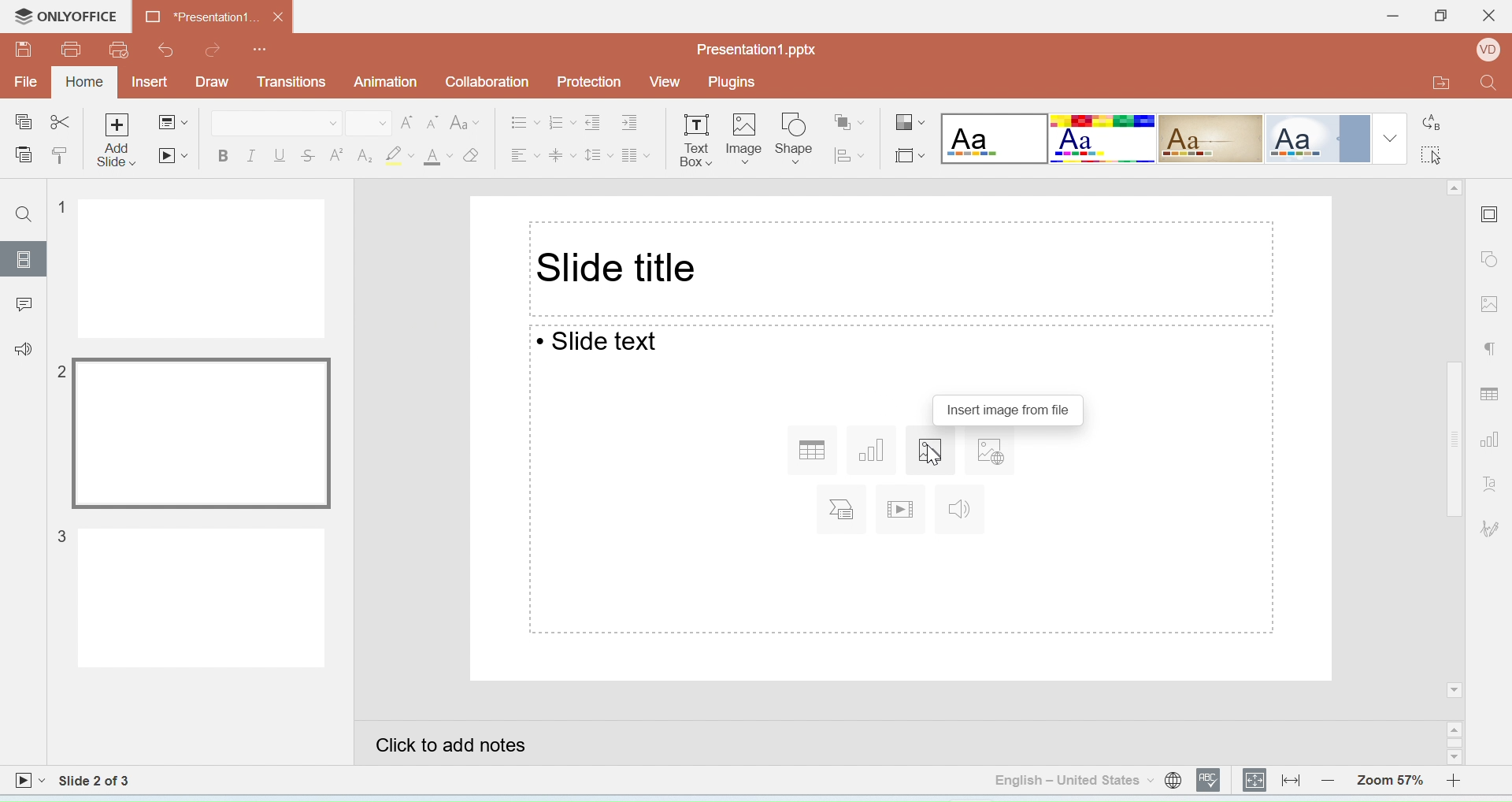  Describe the element at coordinates (1492, 391) in the screenshot. I see `Table settings` at that location.